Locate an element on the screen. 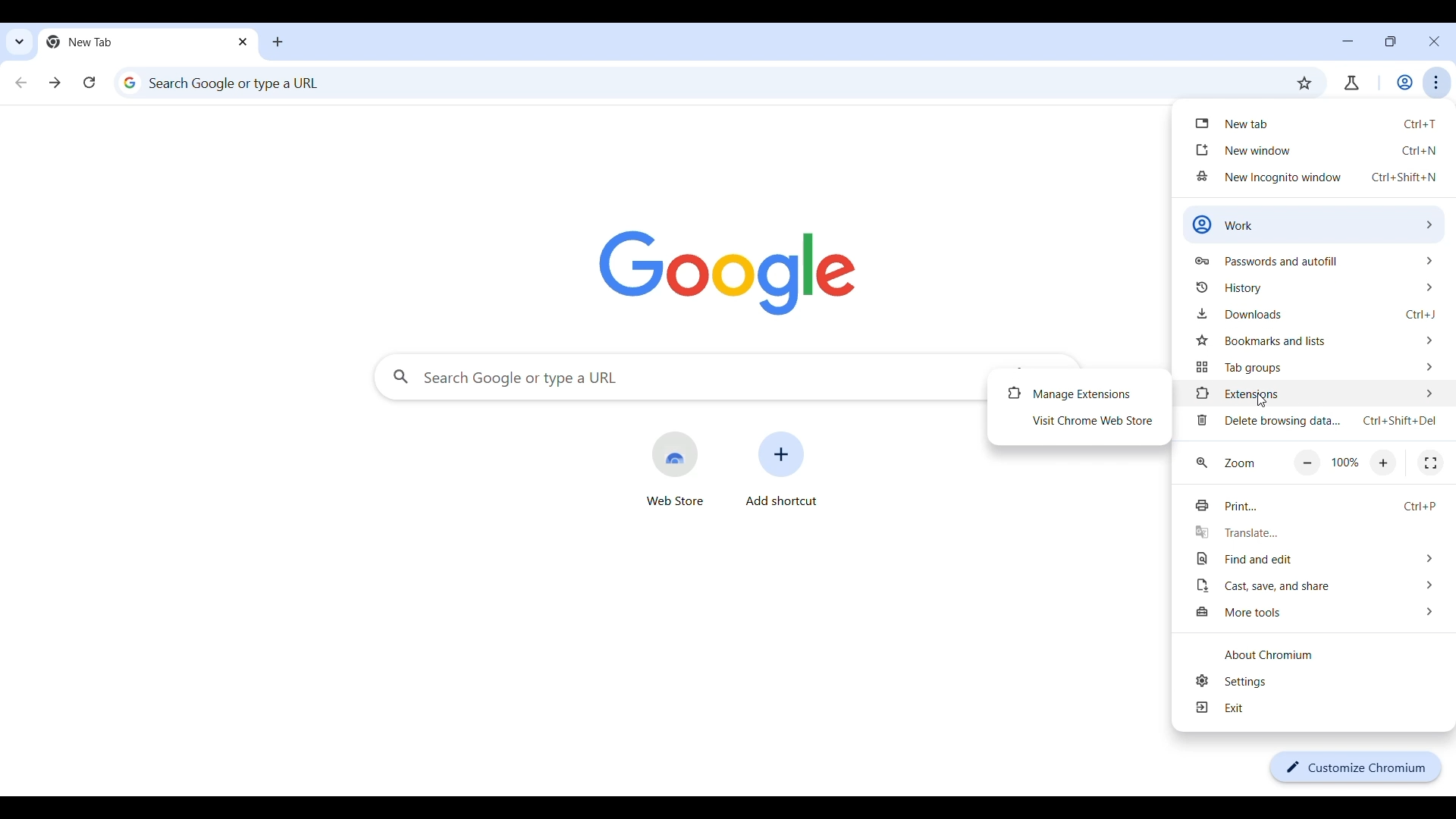  Add shortcut to another site is located at coordinates (782, 469).